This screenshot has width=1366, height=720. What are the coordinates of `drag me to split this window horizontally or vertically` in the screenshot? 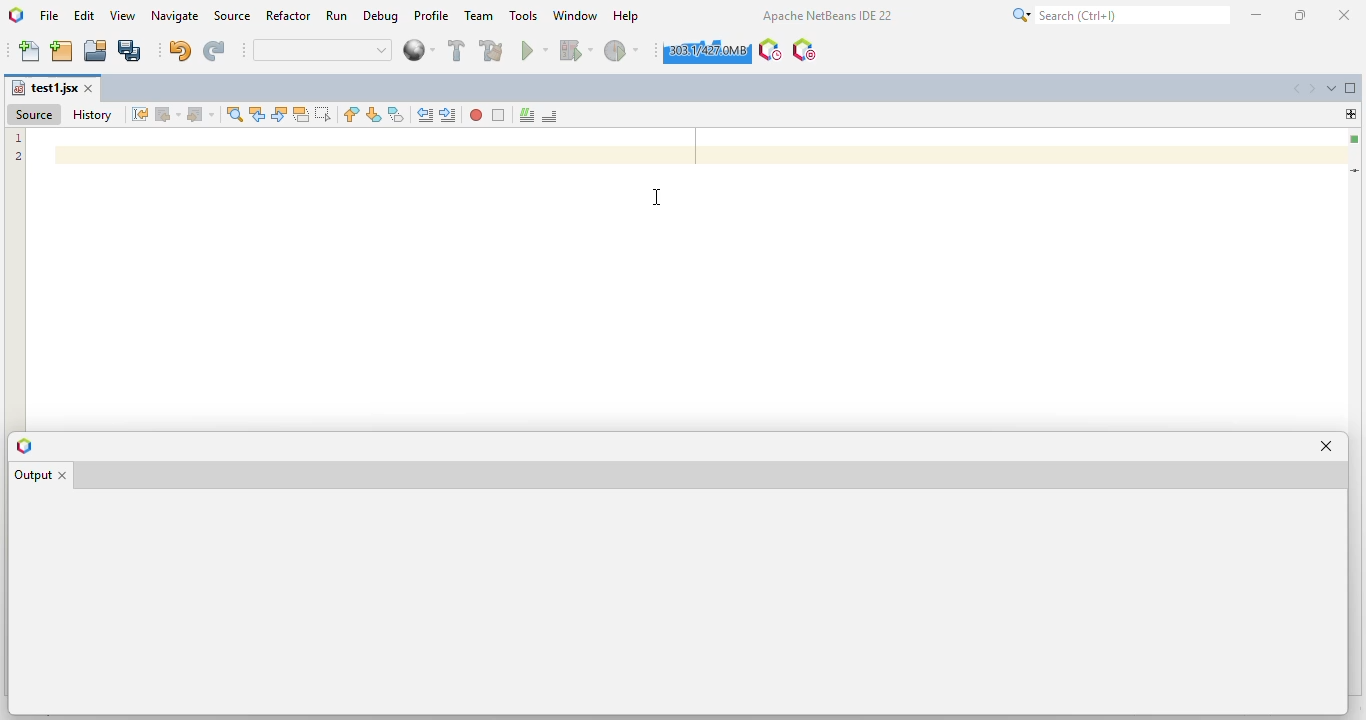 It's located at (1351, 113).